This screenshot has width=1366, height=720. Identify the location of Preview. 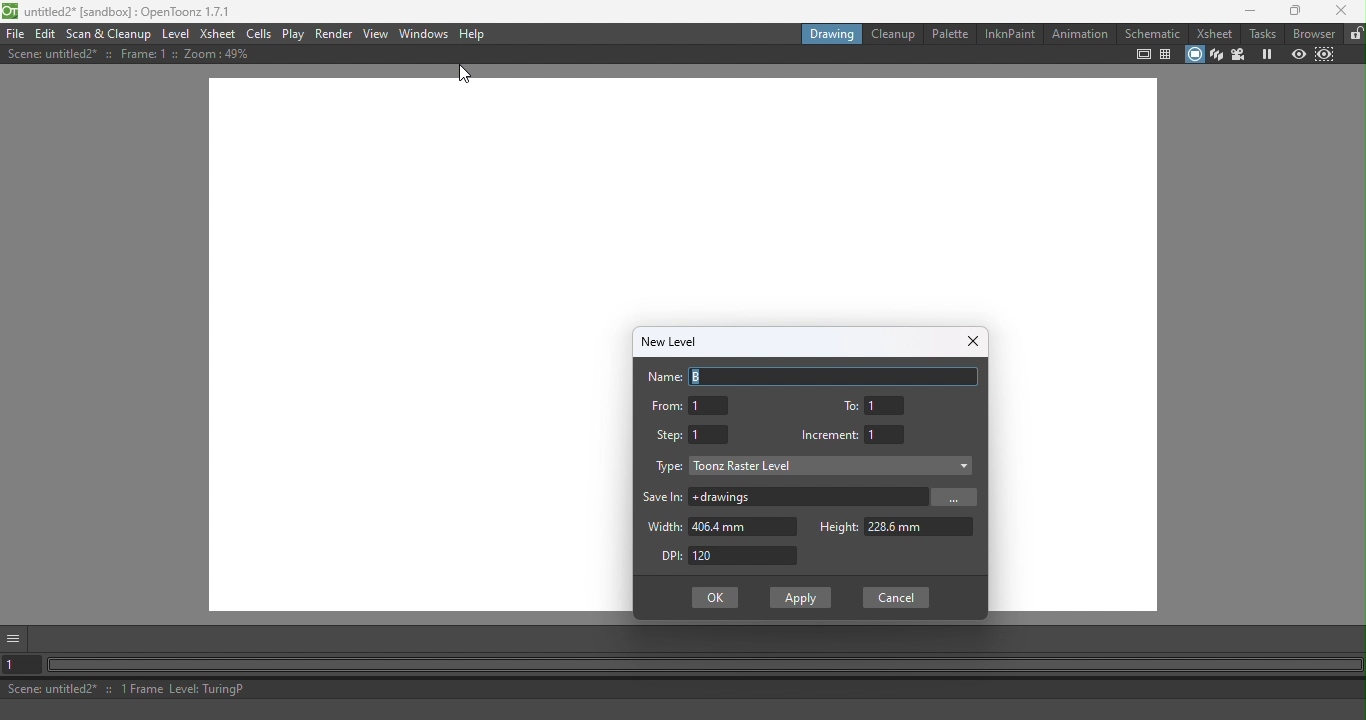
(1297, 55).